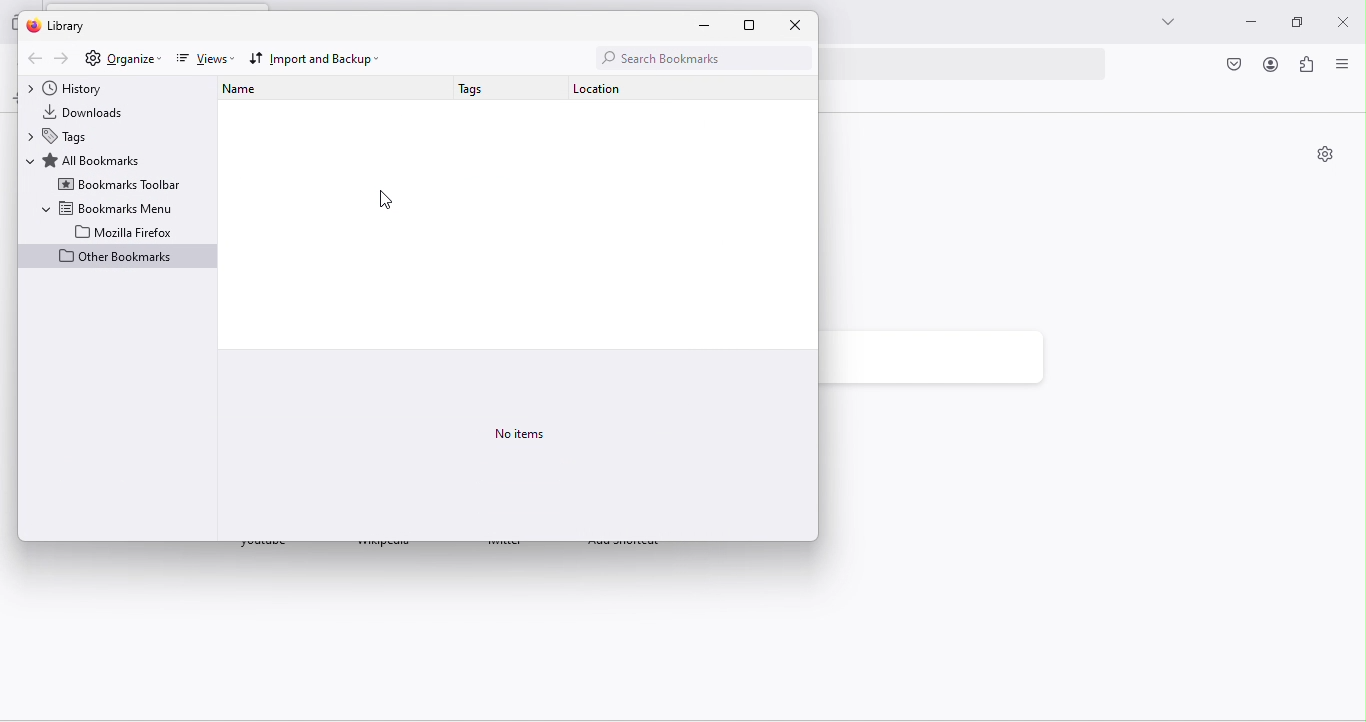 Image resolution: width=1366 pixels, height=722 pixels. What do you see at coordinates (1347, 65) in the screenshot?
I see `view menu` at bounding box center [1347, 65].